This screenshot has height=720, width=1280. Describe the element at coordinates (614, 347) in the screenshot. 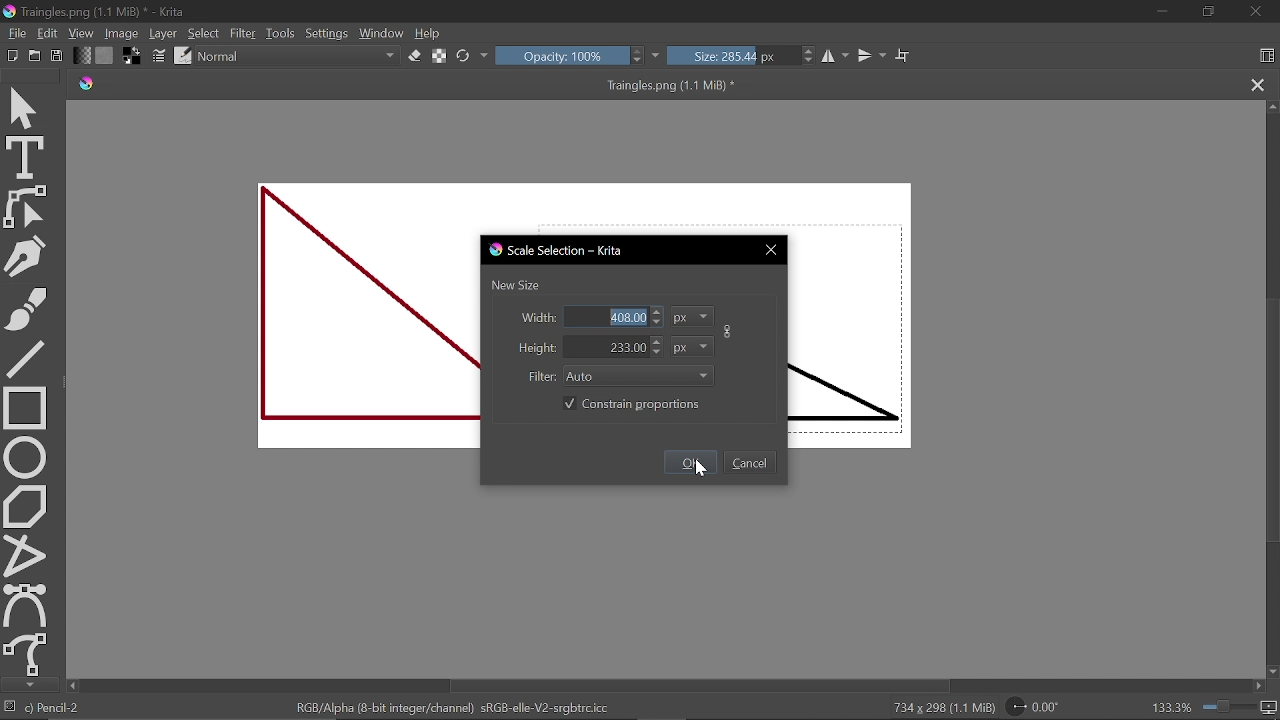

I see `233.00` at that location.